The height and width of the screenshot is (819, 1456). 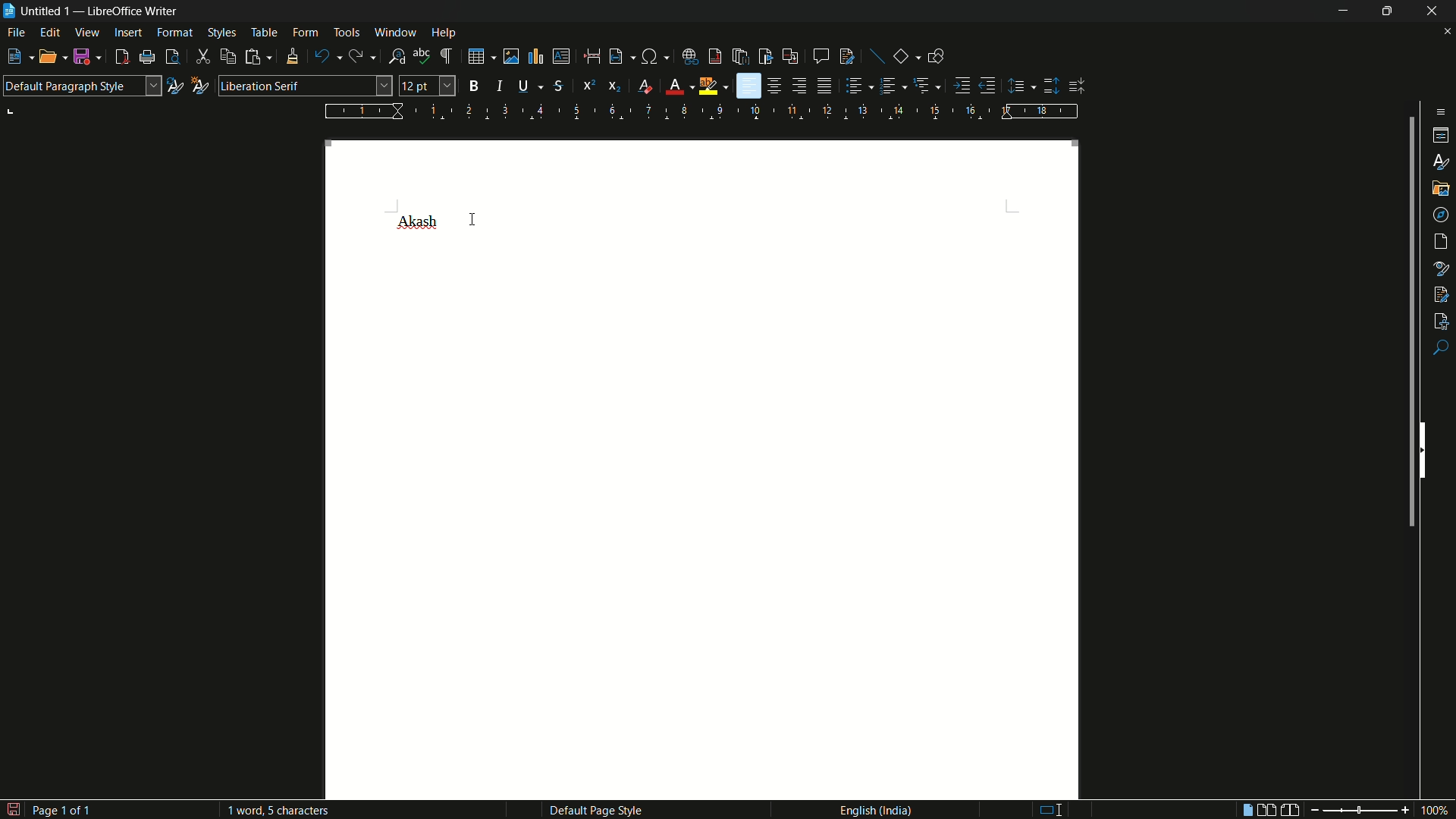 I want to click on justify, so click(x=827, y=88).